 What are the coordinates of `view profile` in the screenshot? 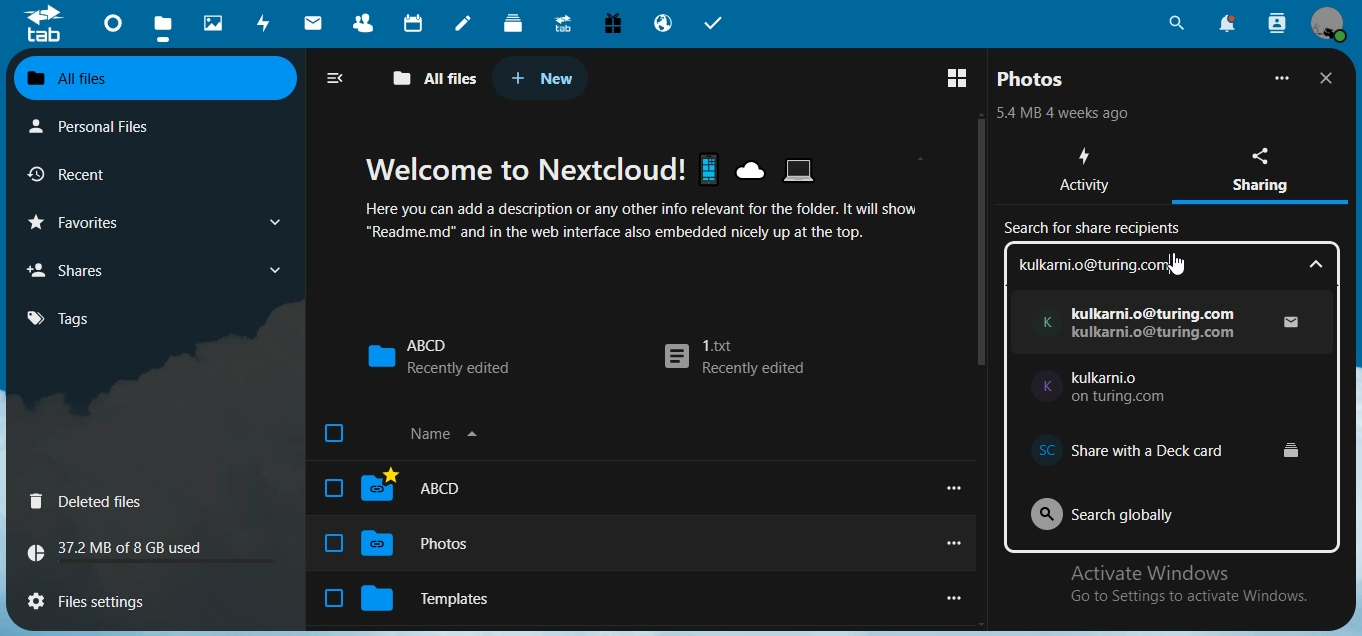 It's located at (1328, 24).